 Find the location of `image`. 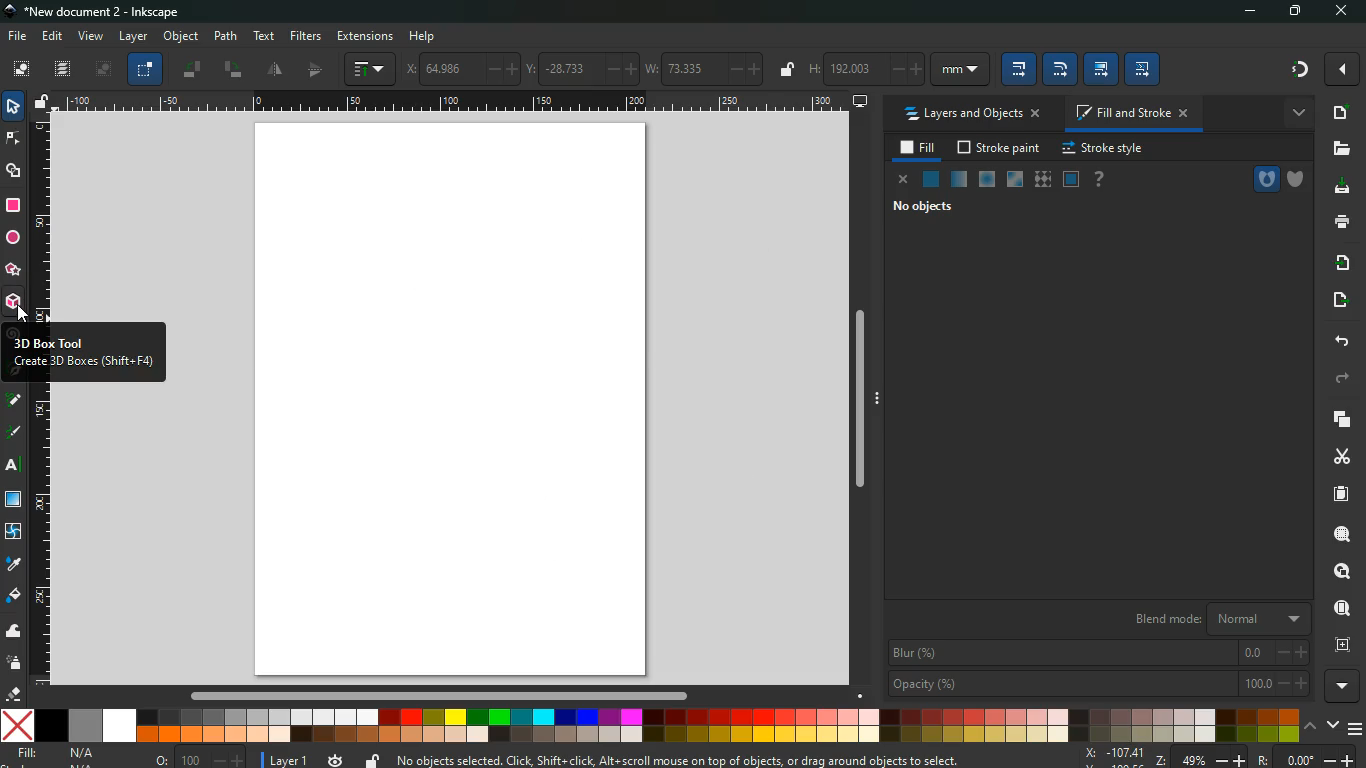

image is located at coordinates (106, 69).